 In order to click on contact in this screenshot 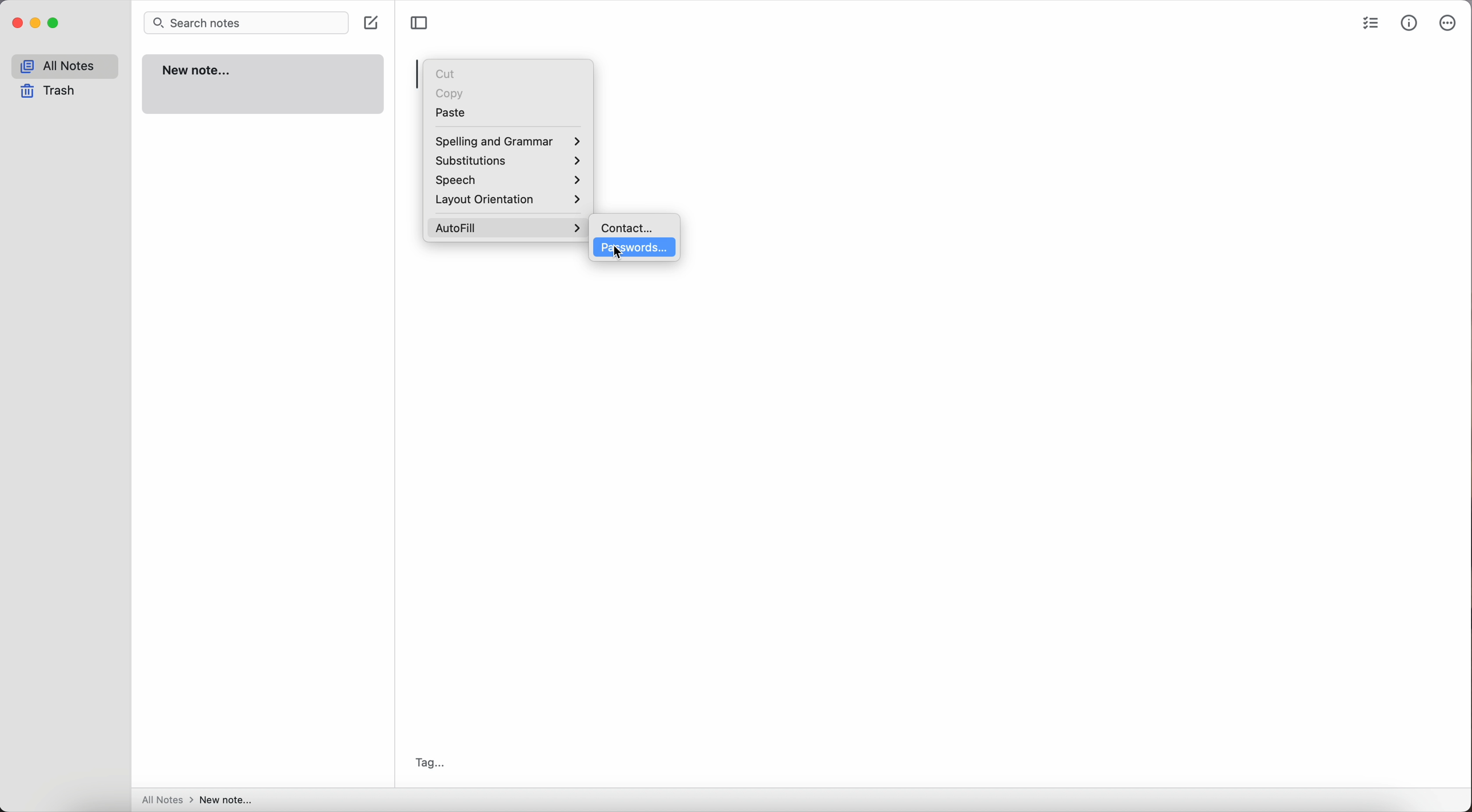, I will do `click(631, 228)`.